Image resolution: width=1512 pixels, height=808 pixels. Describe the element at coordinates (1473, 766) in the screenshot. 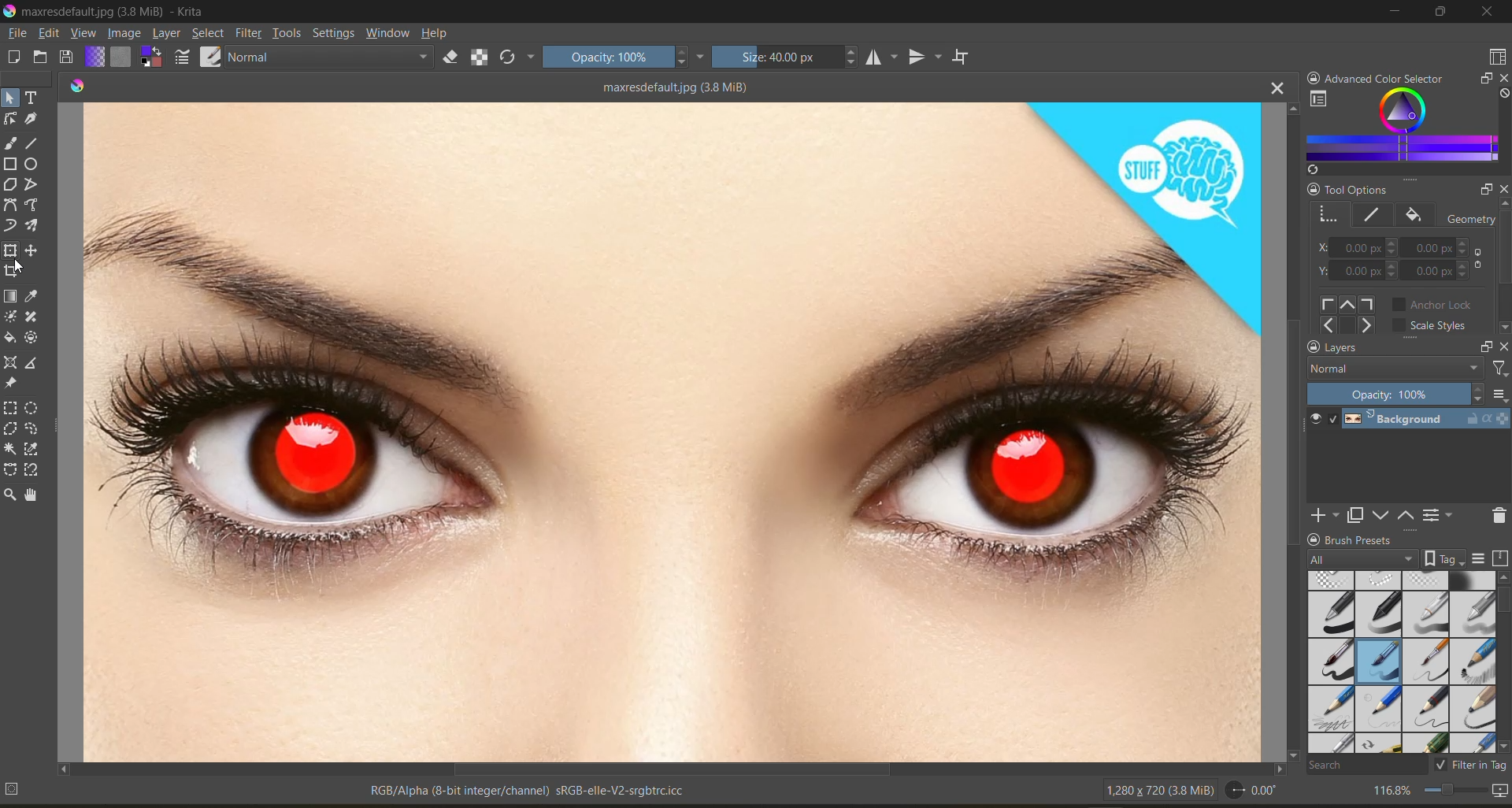

I see `filter in tag` at that location.